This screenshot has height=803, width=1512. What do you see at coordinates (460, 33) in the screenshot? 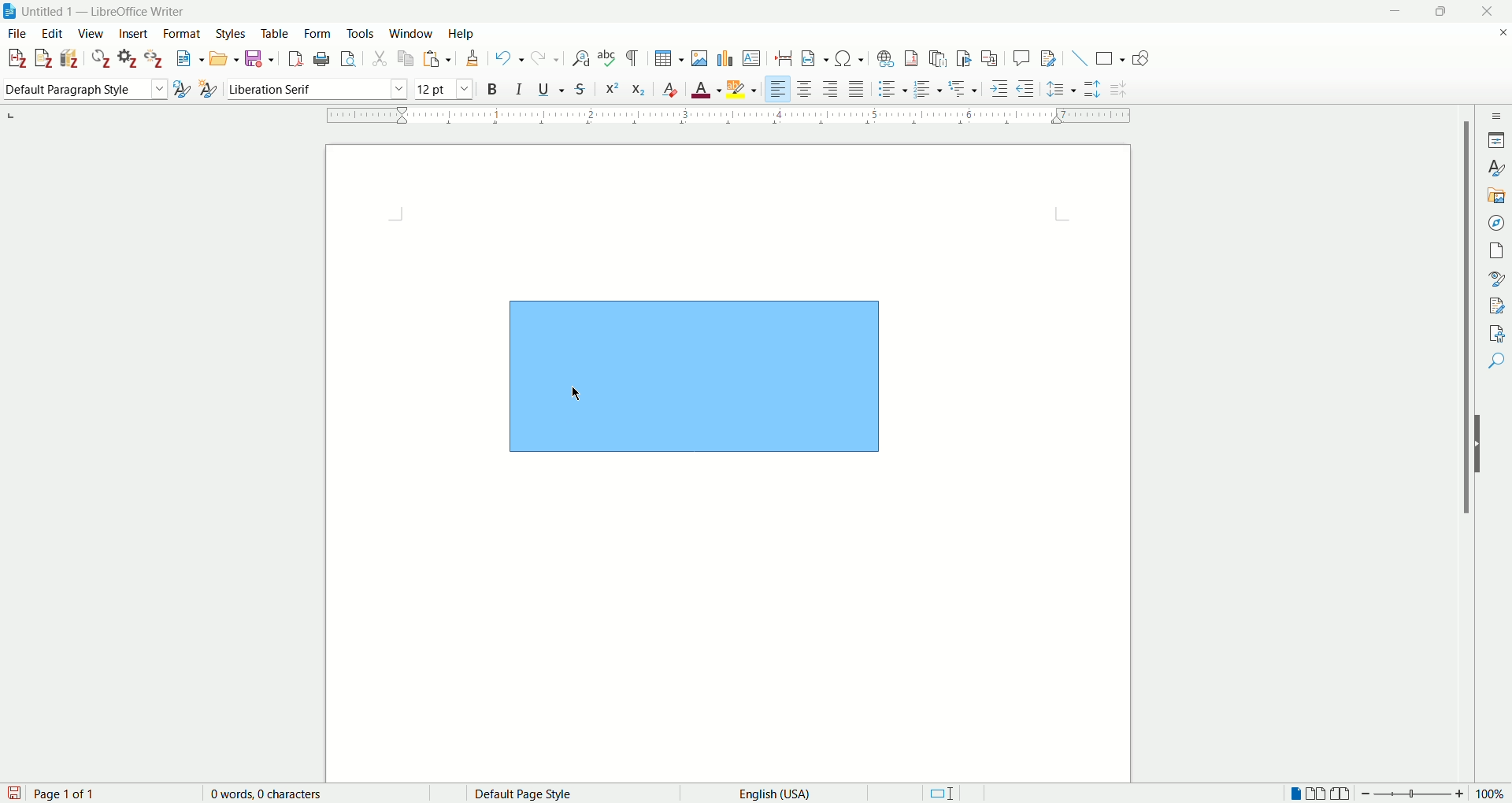
I see `help` at bounding box center [460, 33].